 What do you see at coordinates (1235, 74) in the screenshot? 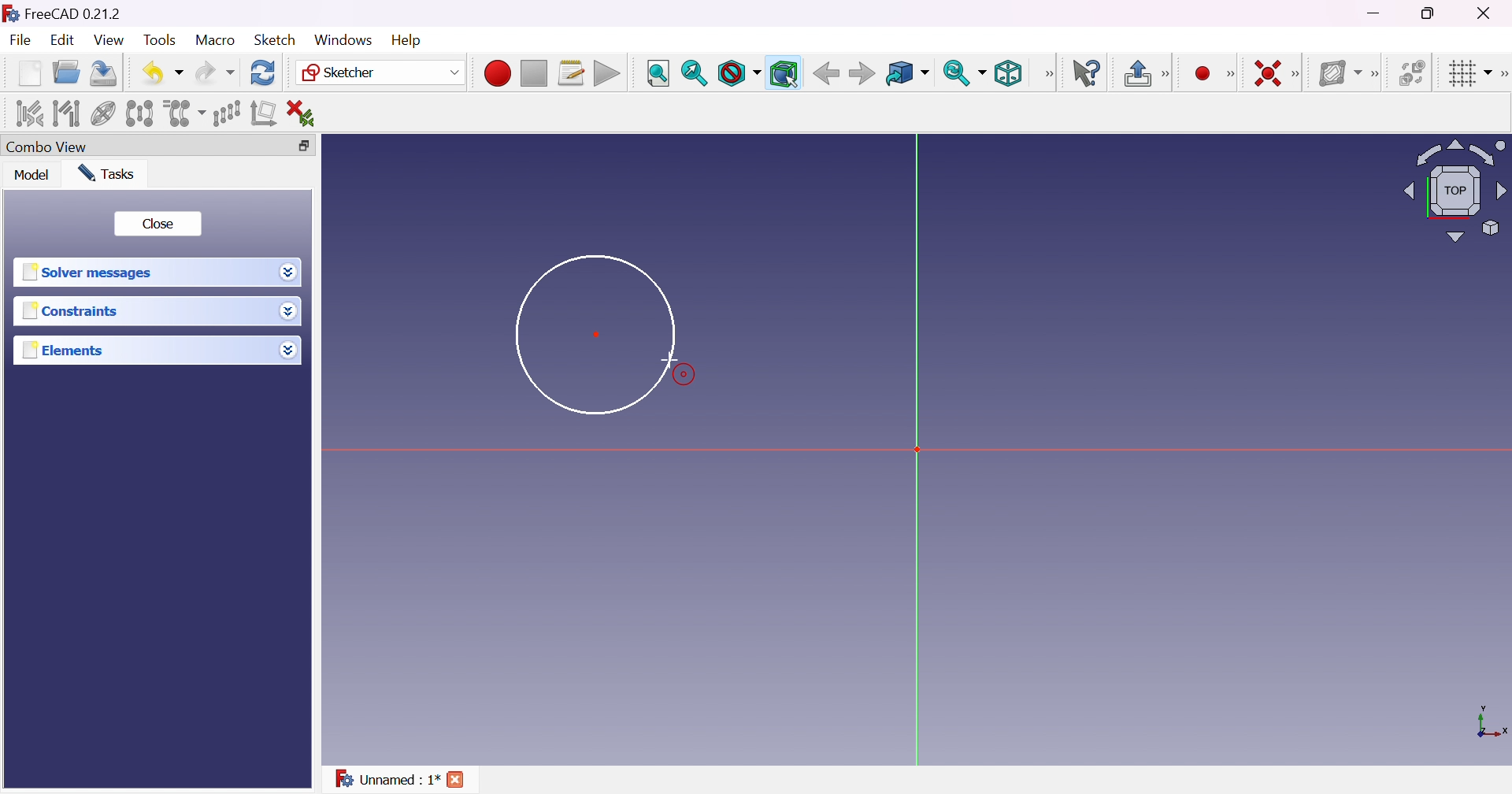
I see `[Sketcher geometries]` at bounding box center [1235, 74].